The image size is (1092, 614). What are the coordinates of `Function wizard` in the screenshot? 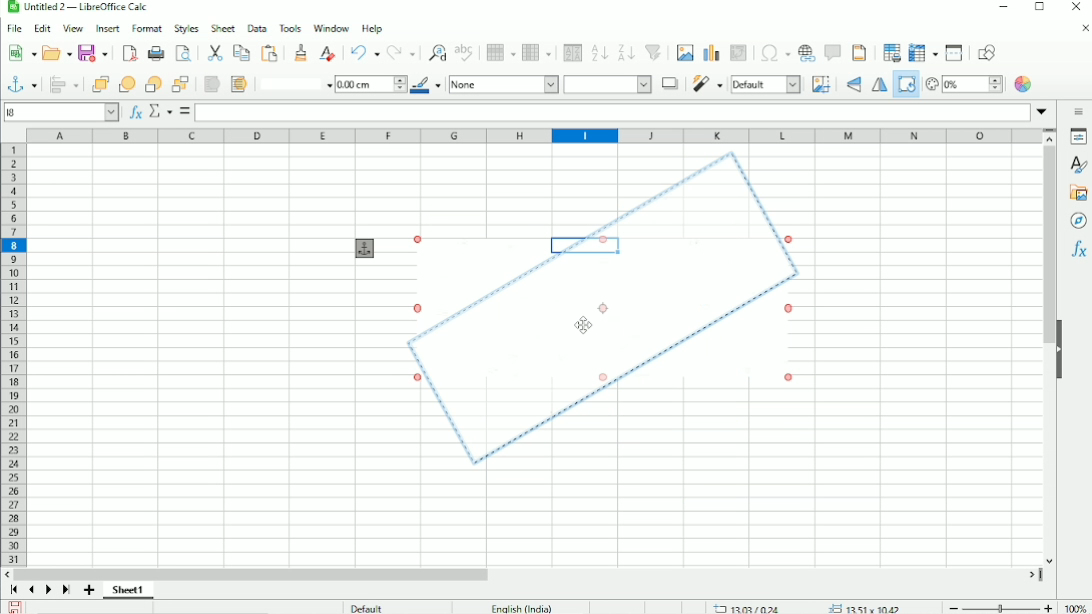 It's located at (135, 112).